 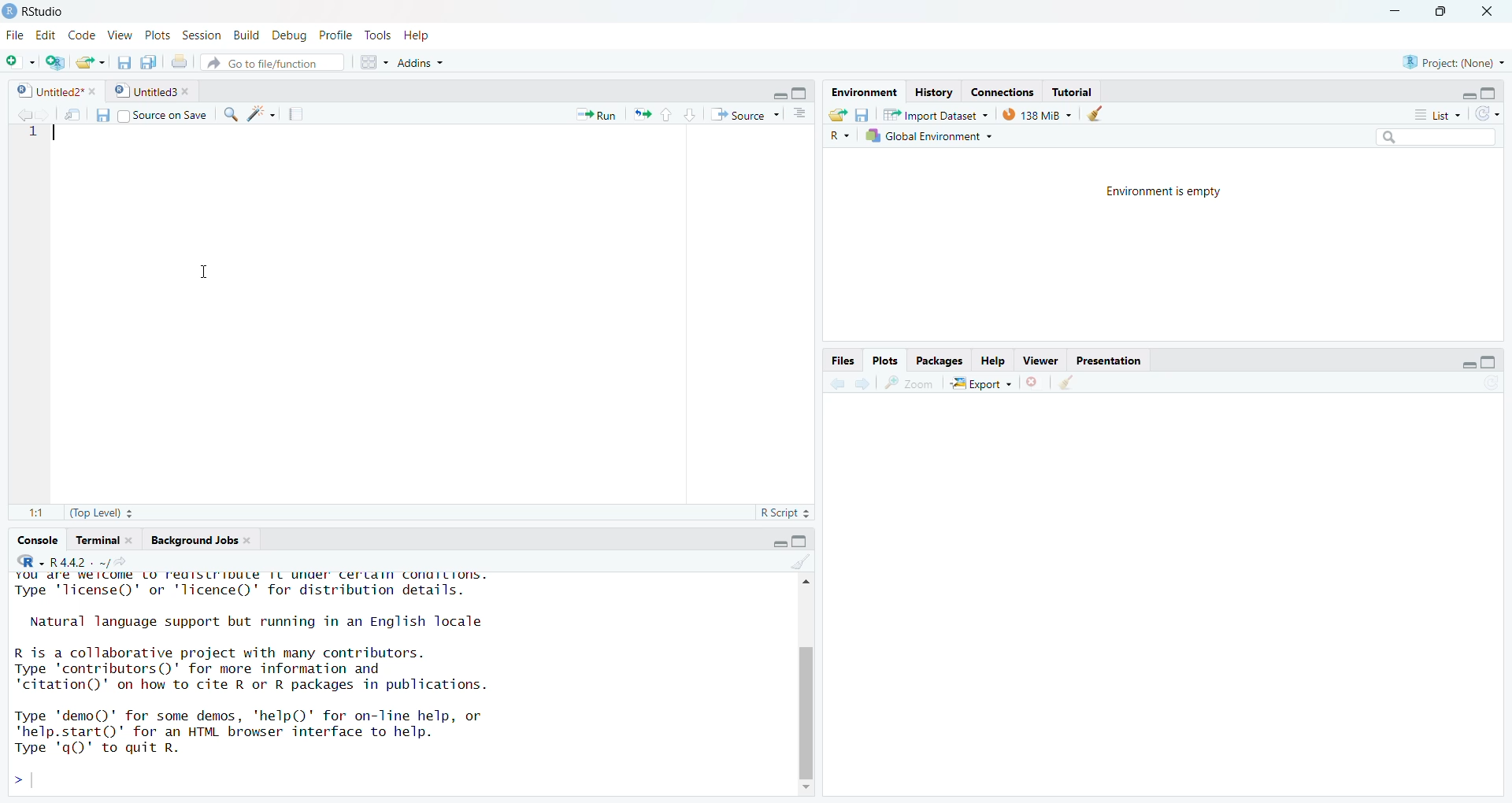 I want to click on import Dataset , so click(x=933, y=112).